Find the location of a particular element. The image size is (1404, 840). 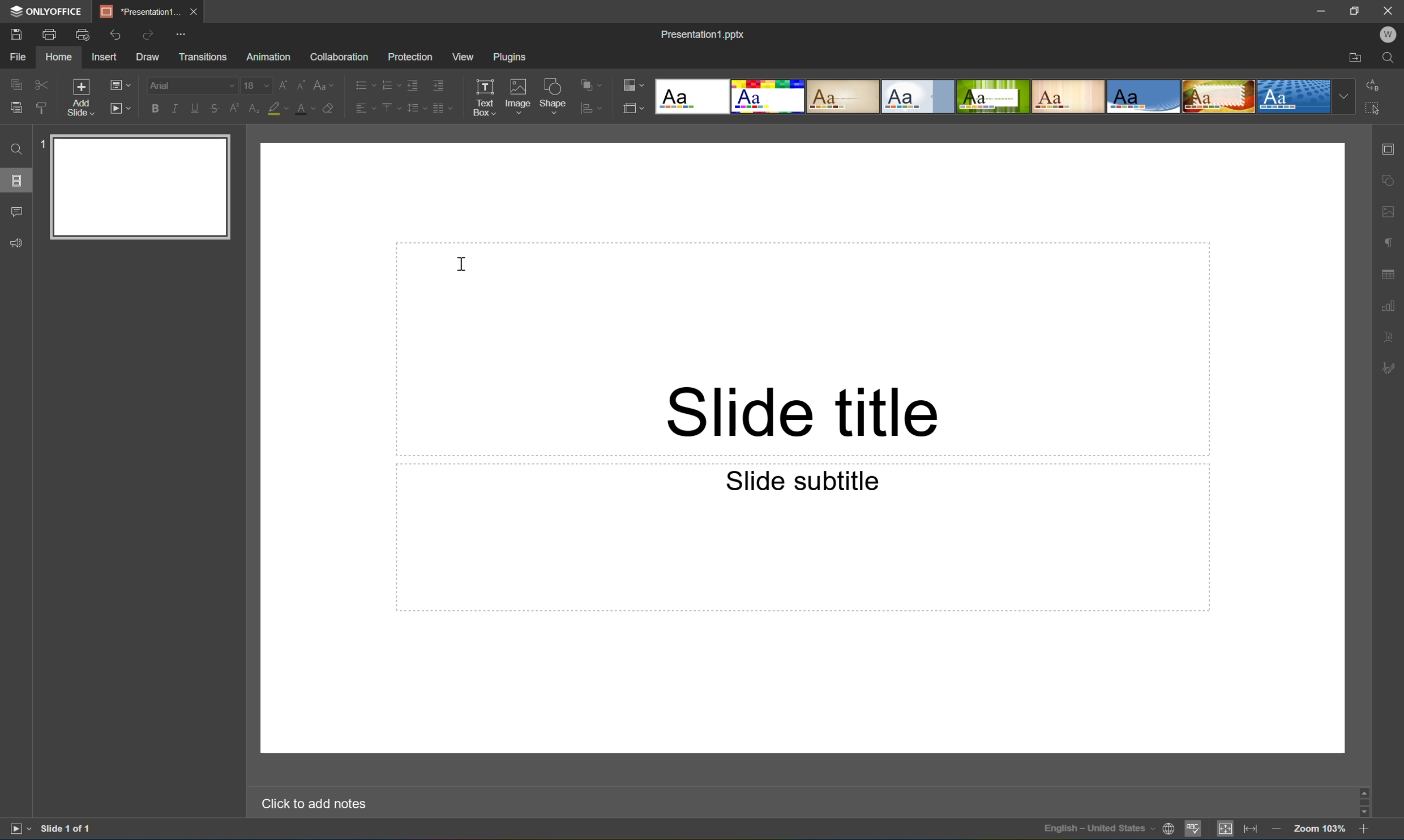

Restore down is located at coordinates (1358, 10).